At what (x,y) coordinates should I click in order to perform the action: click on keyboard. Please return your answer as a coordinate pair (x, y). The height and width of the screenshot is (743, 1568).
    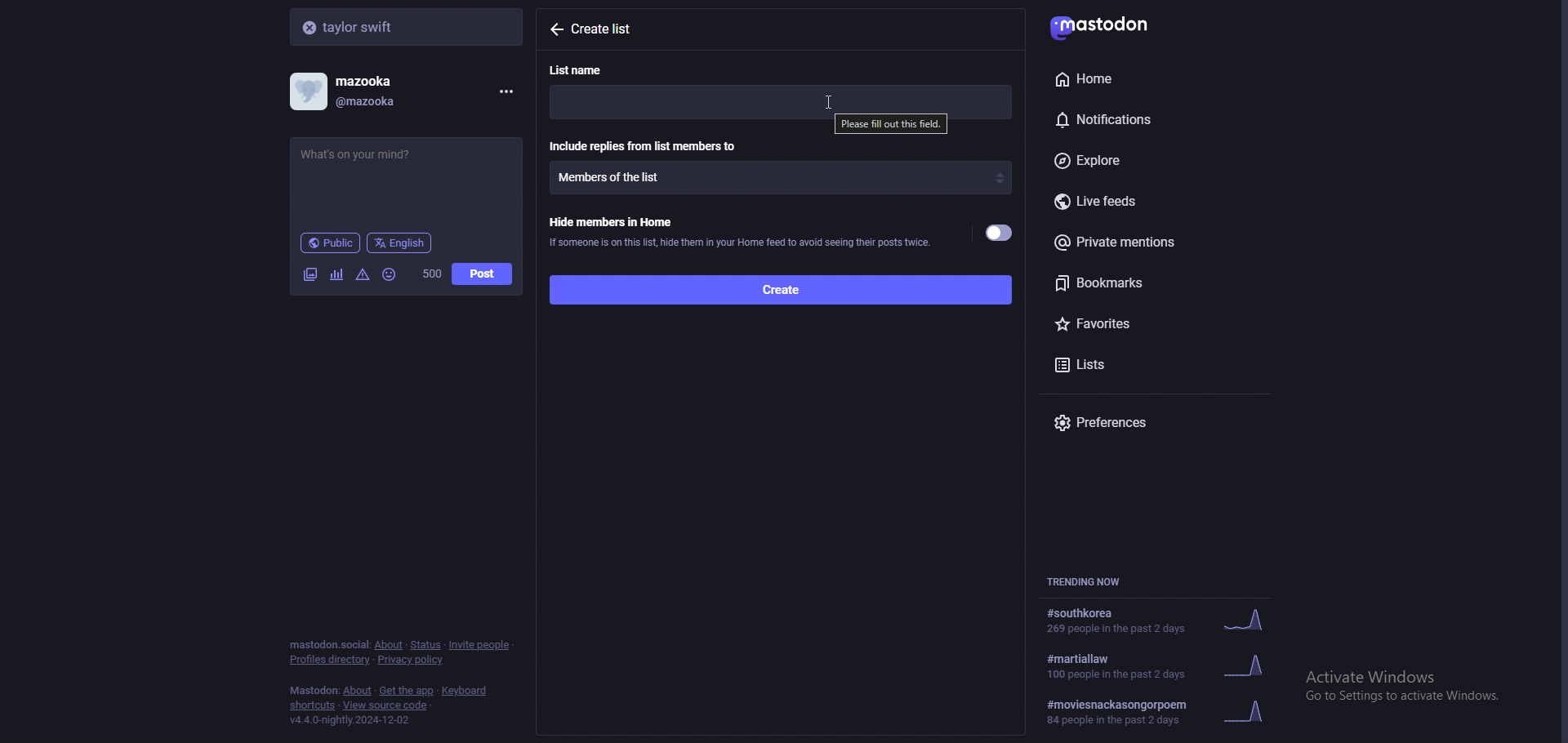
    Looking at the image, I should click on (466, 691).